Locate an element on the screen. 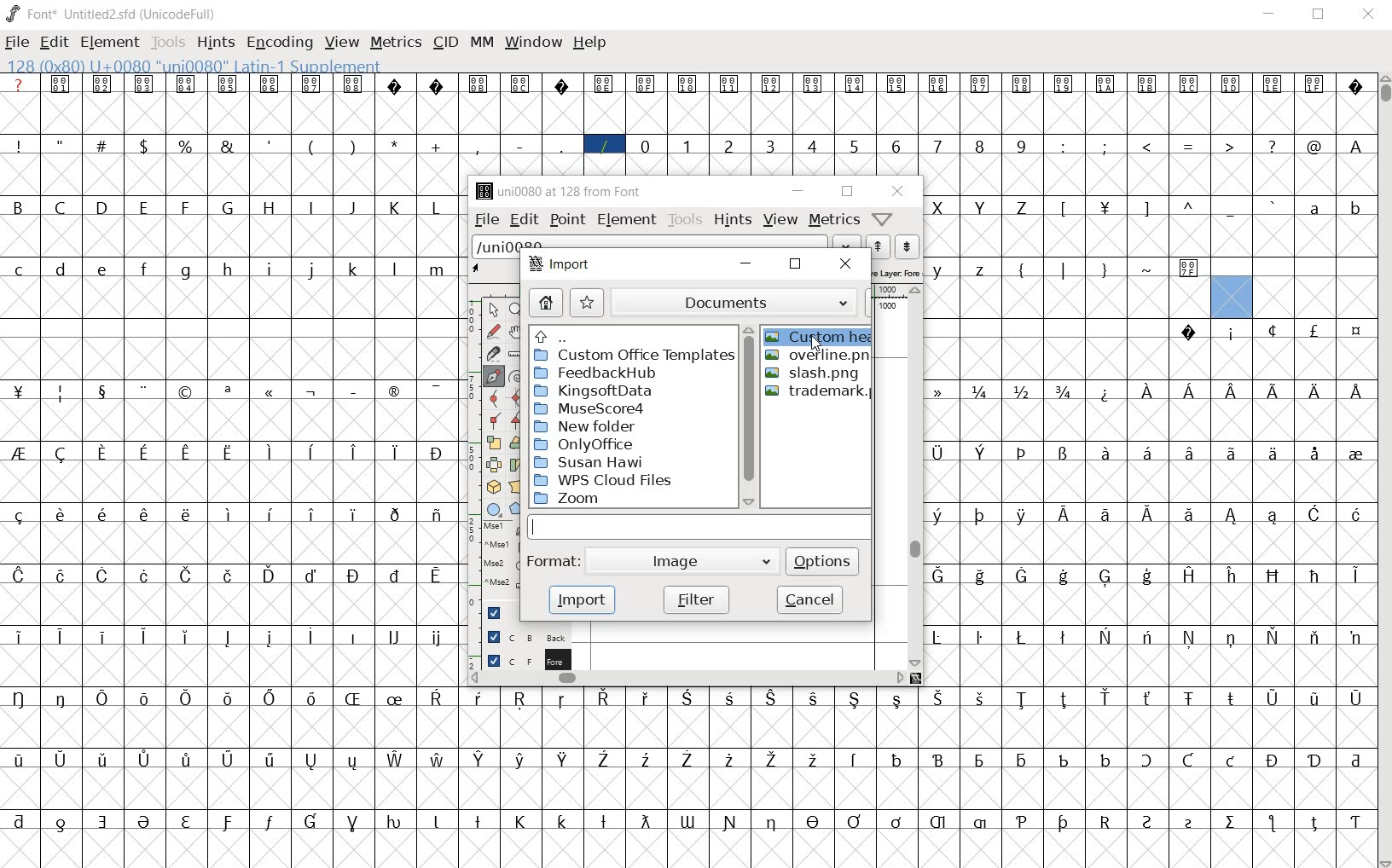 This screenshot has height=868, width=1392. glyph is located at coordinates (1189, 699).